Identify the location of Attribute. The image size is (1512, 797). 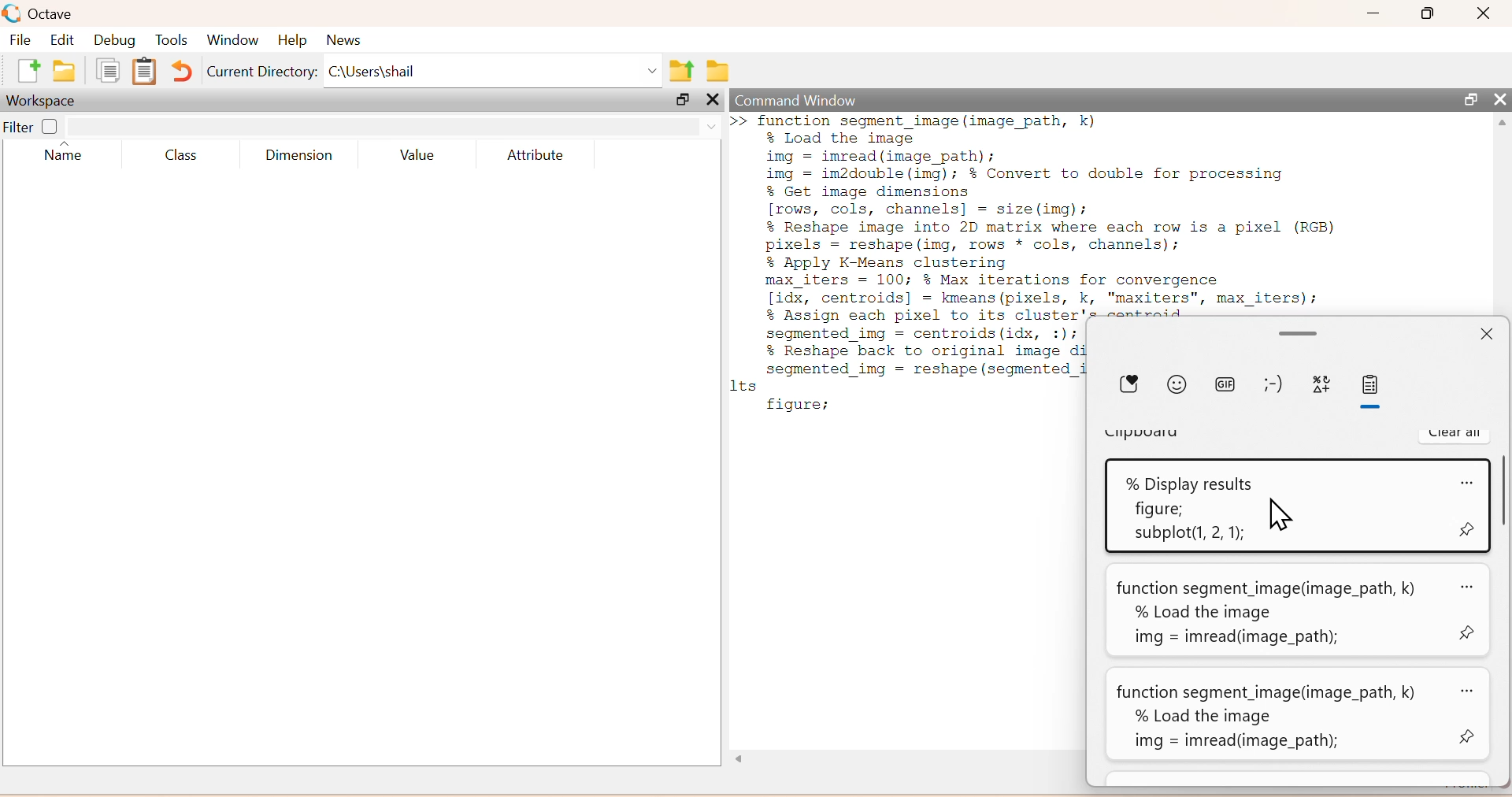
(532, 156).